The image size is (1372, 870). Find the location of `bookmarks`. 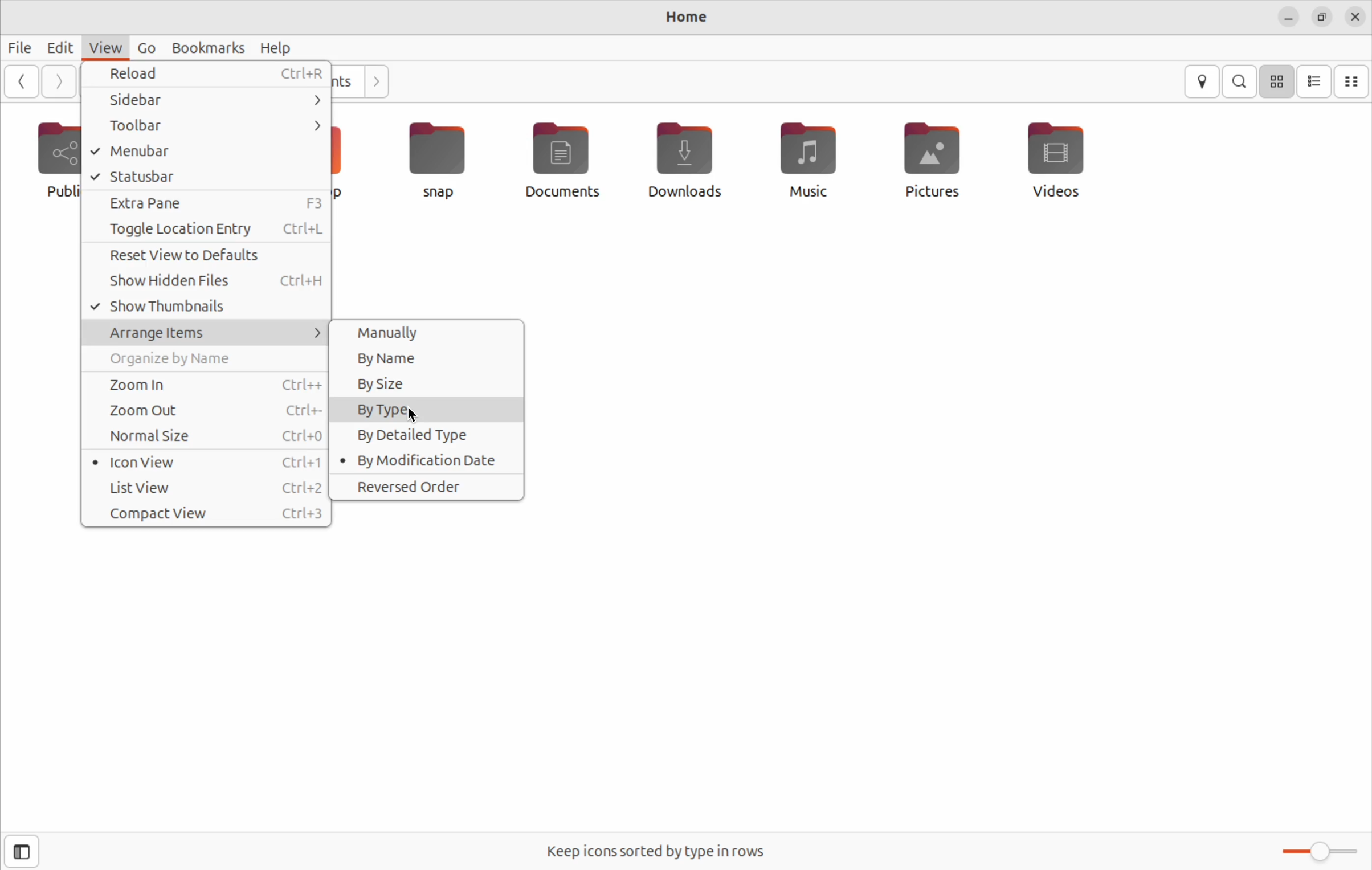

bookmarks is located at coordinates (206, 47).